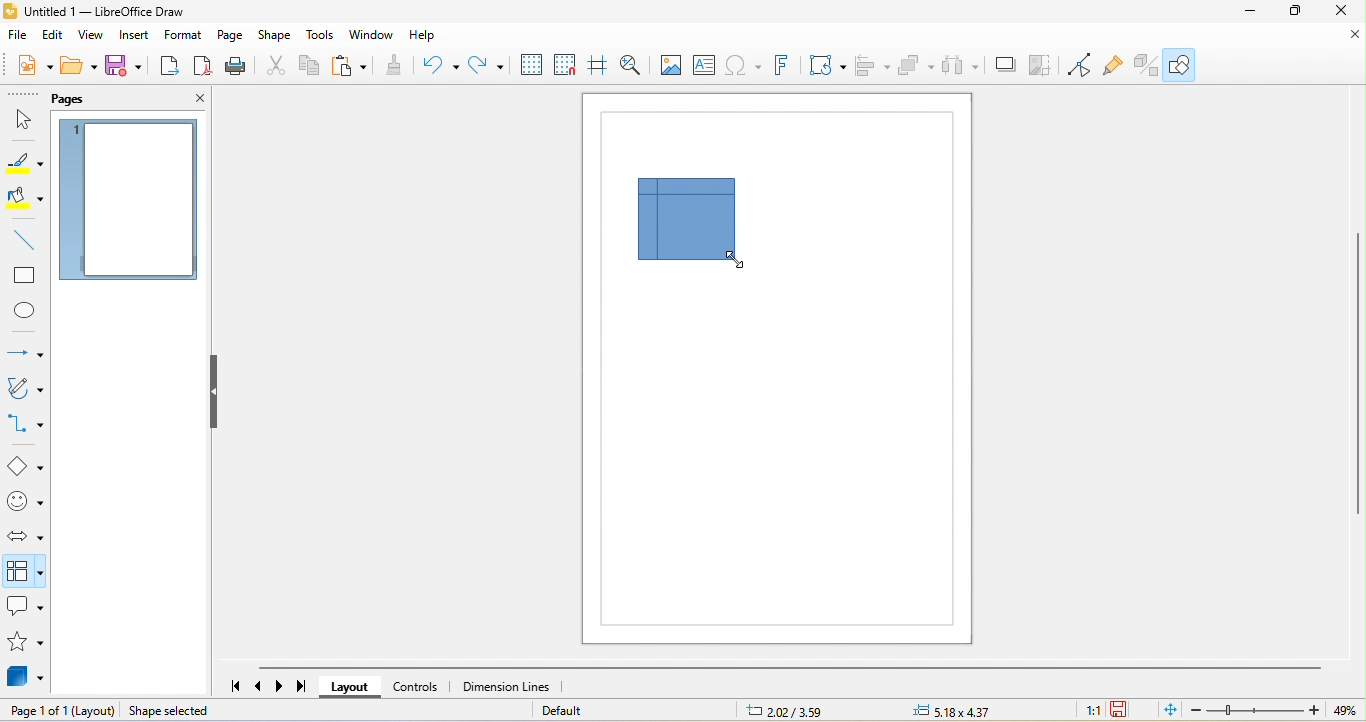  What do you see at coordinates (424, 38) in the screenshot?
I see `help` at bounding box center [424, 38].